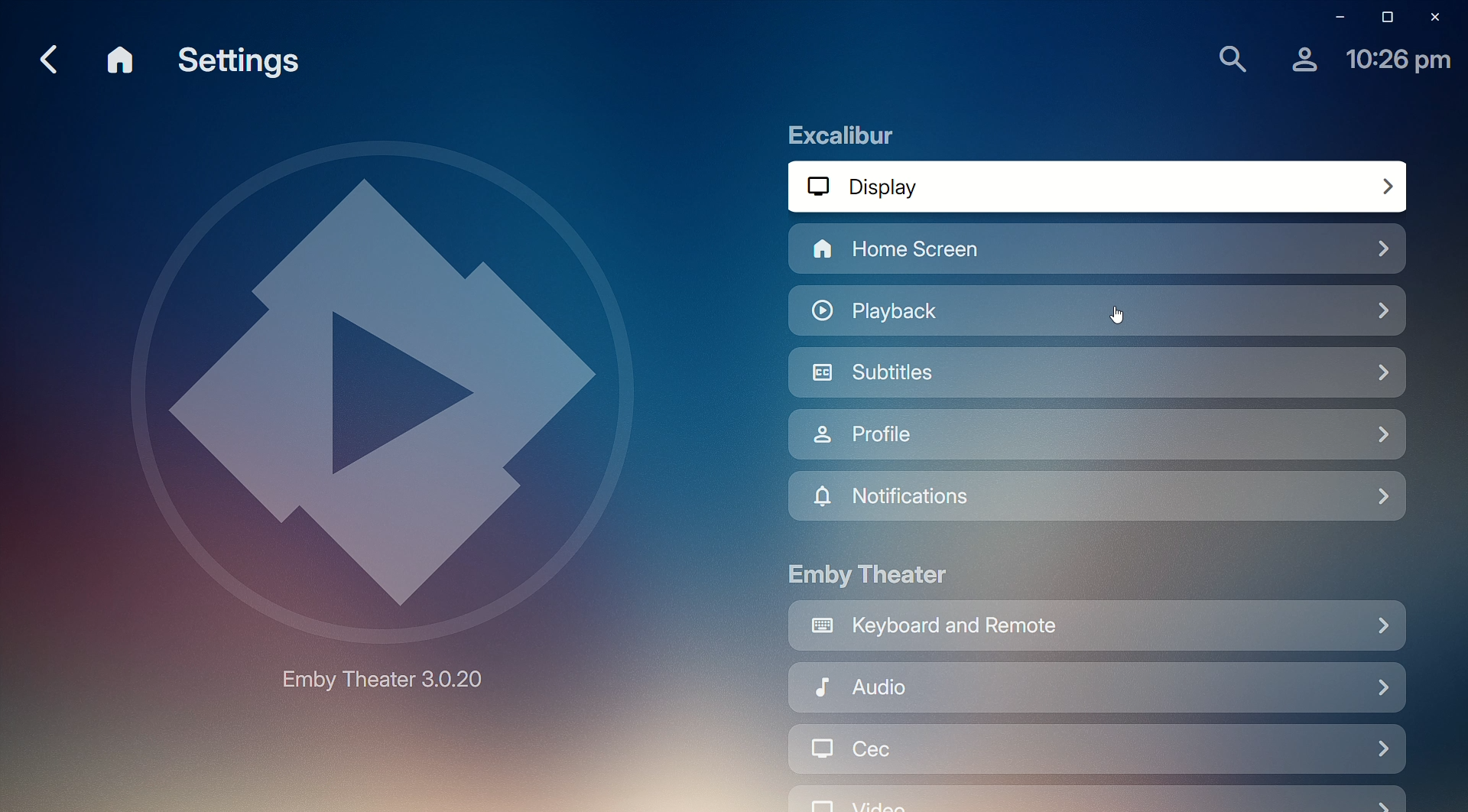  Describe the element at coordinates (244, 63) in the screenshot. I see `Settings` at that location.